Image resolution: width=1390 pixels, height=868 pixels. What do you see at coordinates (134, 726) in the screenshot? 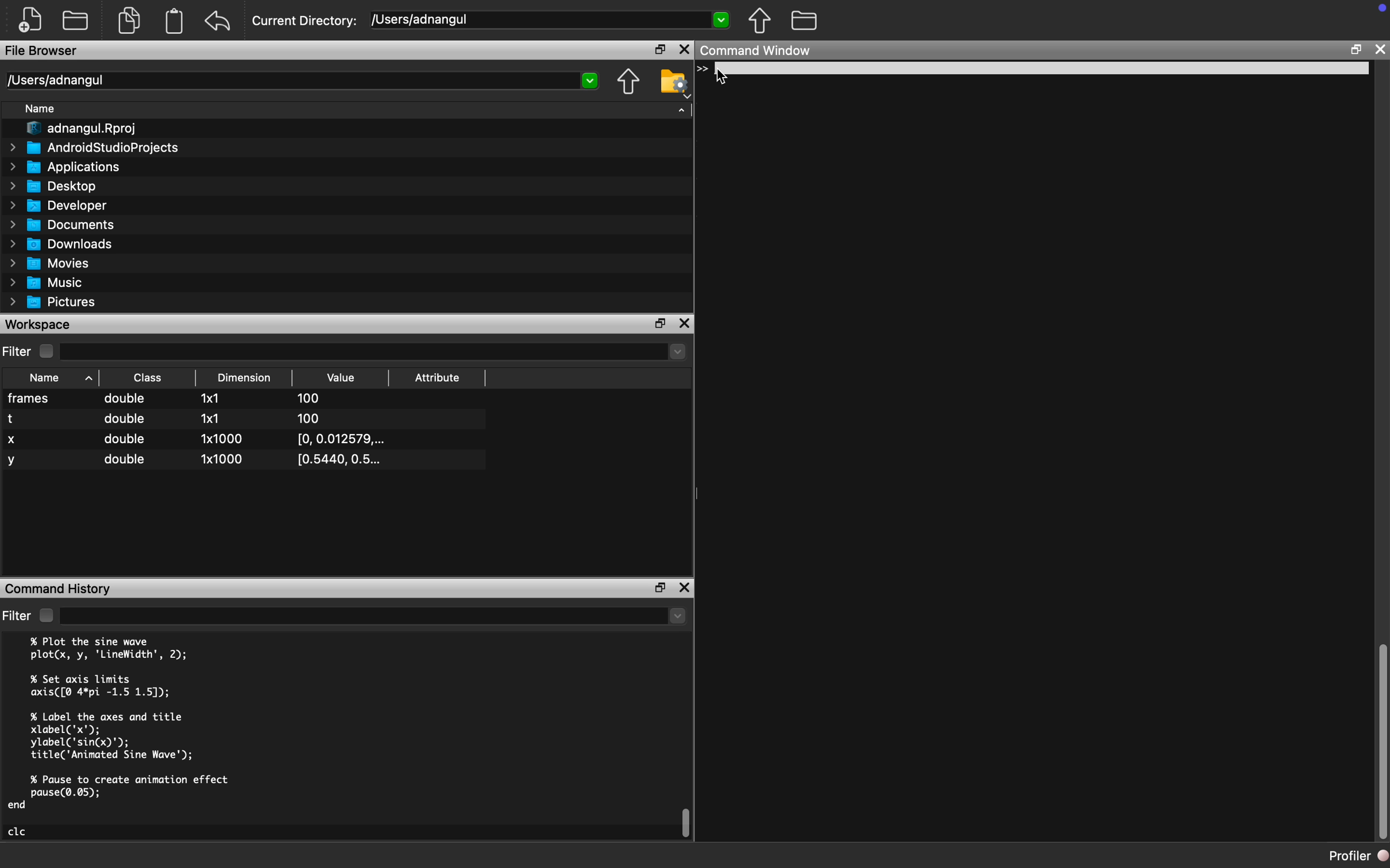
I see `% Plot the sine wave
plot(x, y, 'LineWidth', 2);
% Set axis limits
axis([@ 4*pi -1.5 1.5]);
% Label the axes and title
xlabel('x");
ylabel('sin(x)");
title('Animated Sine Wave');
% Pause to create animation effect
pause(0.05);

end` at bounding box center [134, 726].